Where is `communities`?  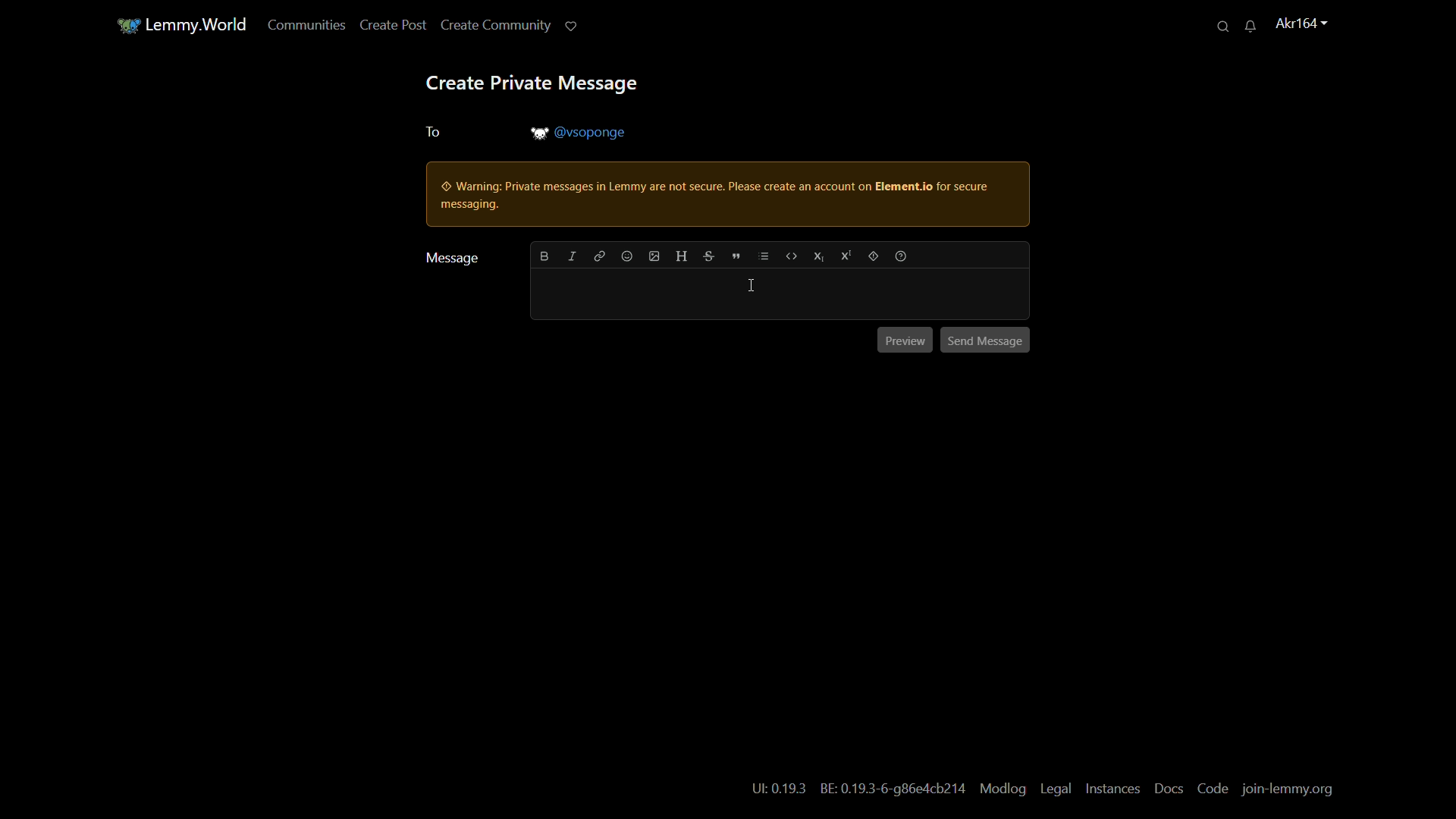 communities is located at coordinates (299, 27).